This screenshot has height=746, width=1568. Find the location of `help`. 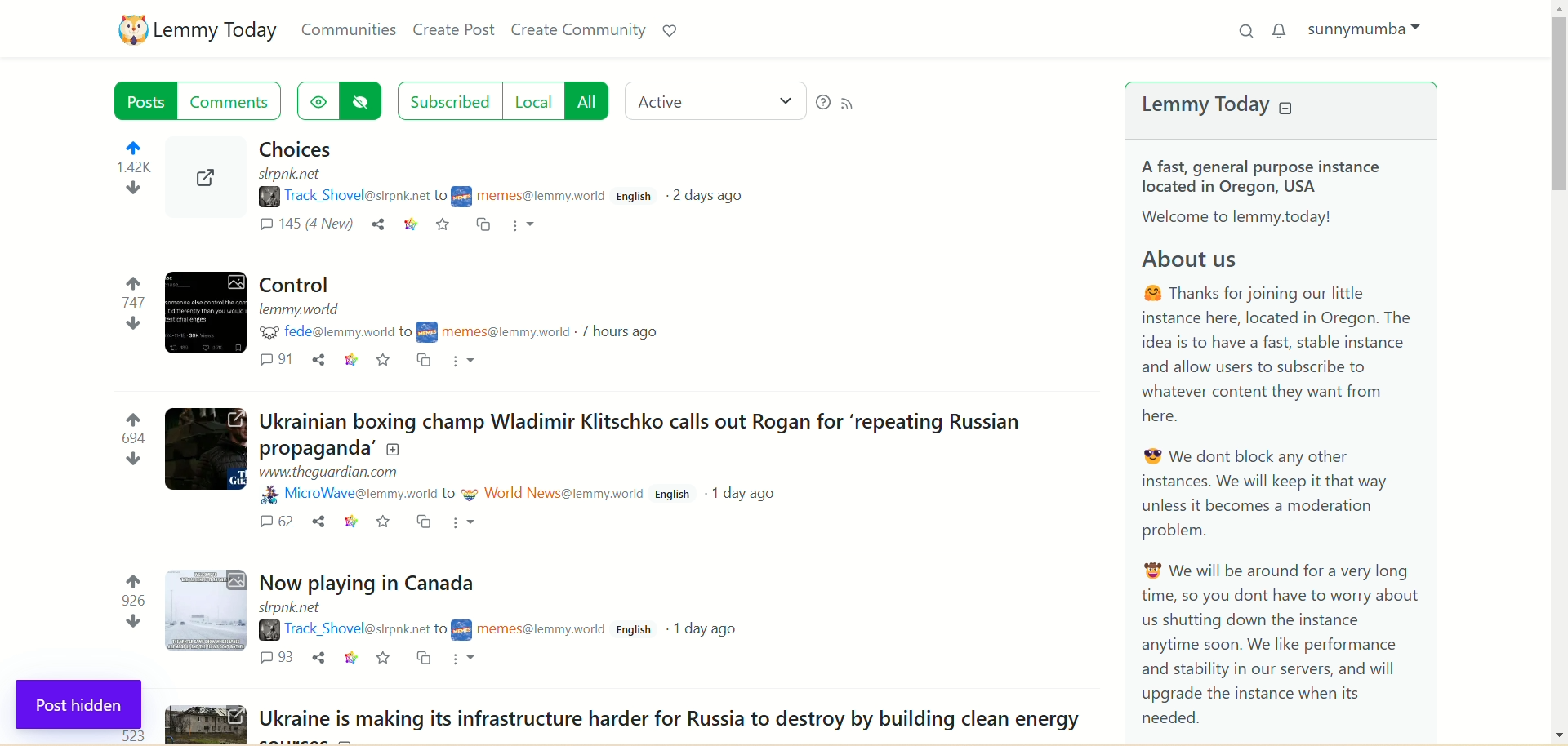

help is located at coordinates (821, 104).